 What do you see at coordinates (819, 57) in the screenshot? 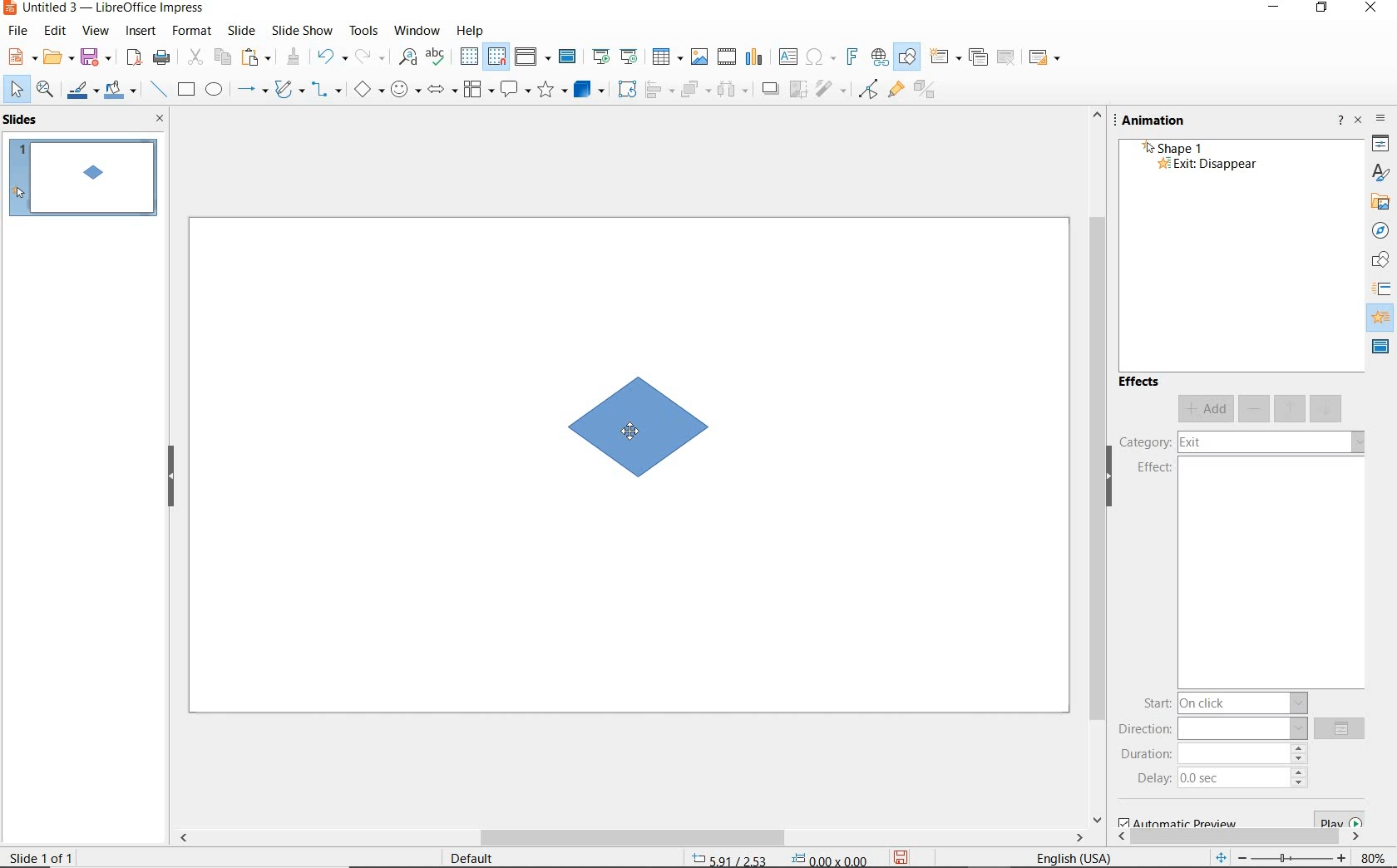
I see `insert special characters` at bounding box center [819, 57].